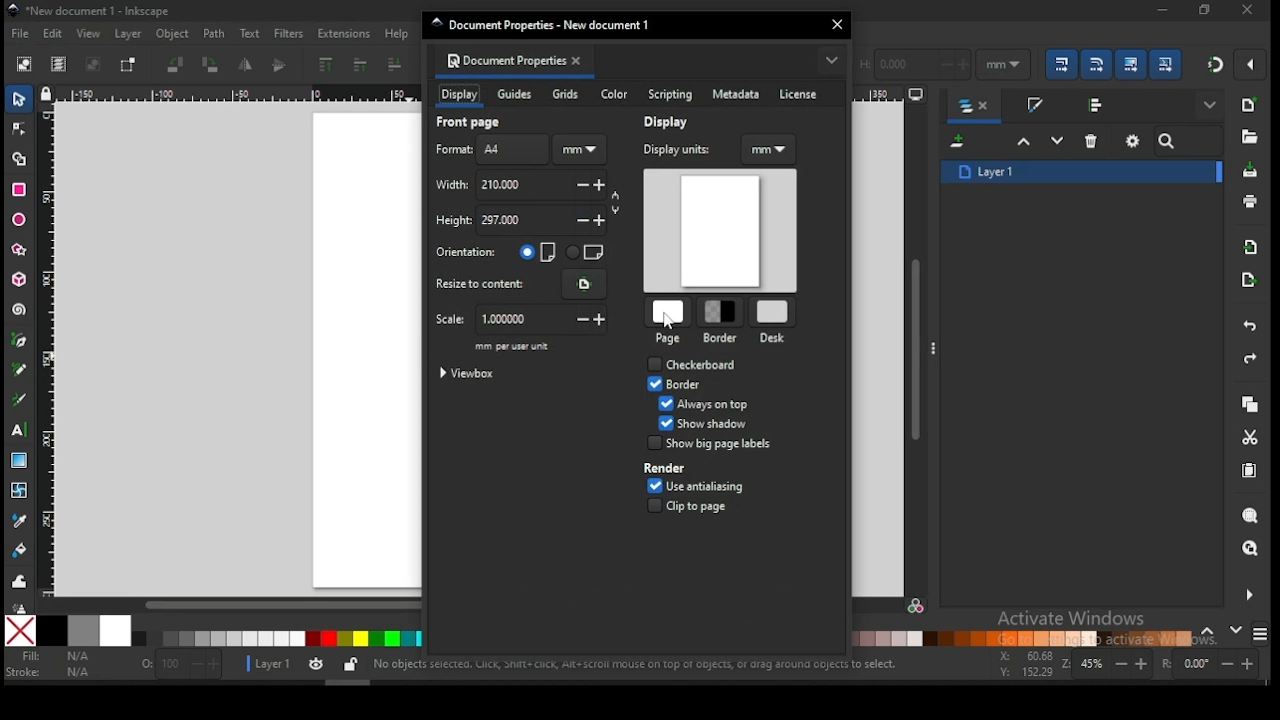 The width and height of the screenshot is (1280, 720). What do you see at coordinates (1253, 473) in the screenshot?
I see `paste` at bounding box center [1253, 473].